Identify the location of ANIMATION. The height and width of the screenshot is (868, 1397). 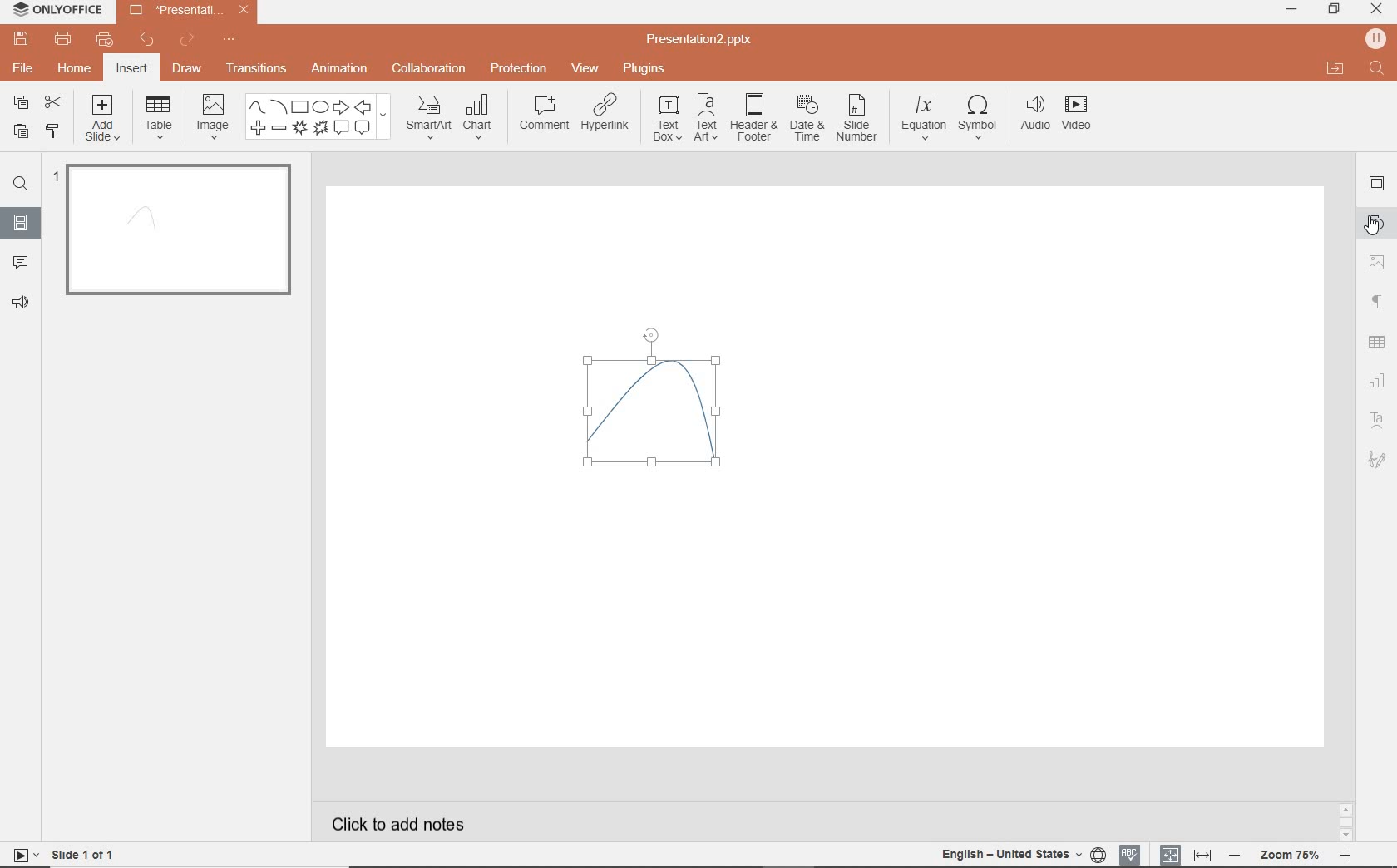
(343, 69).